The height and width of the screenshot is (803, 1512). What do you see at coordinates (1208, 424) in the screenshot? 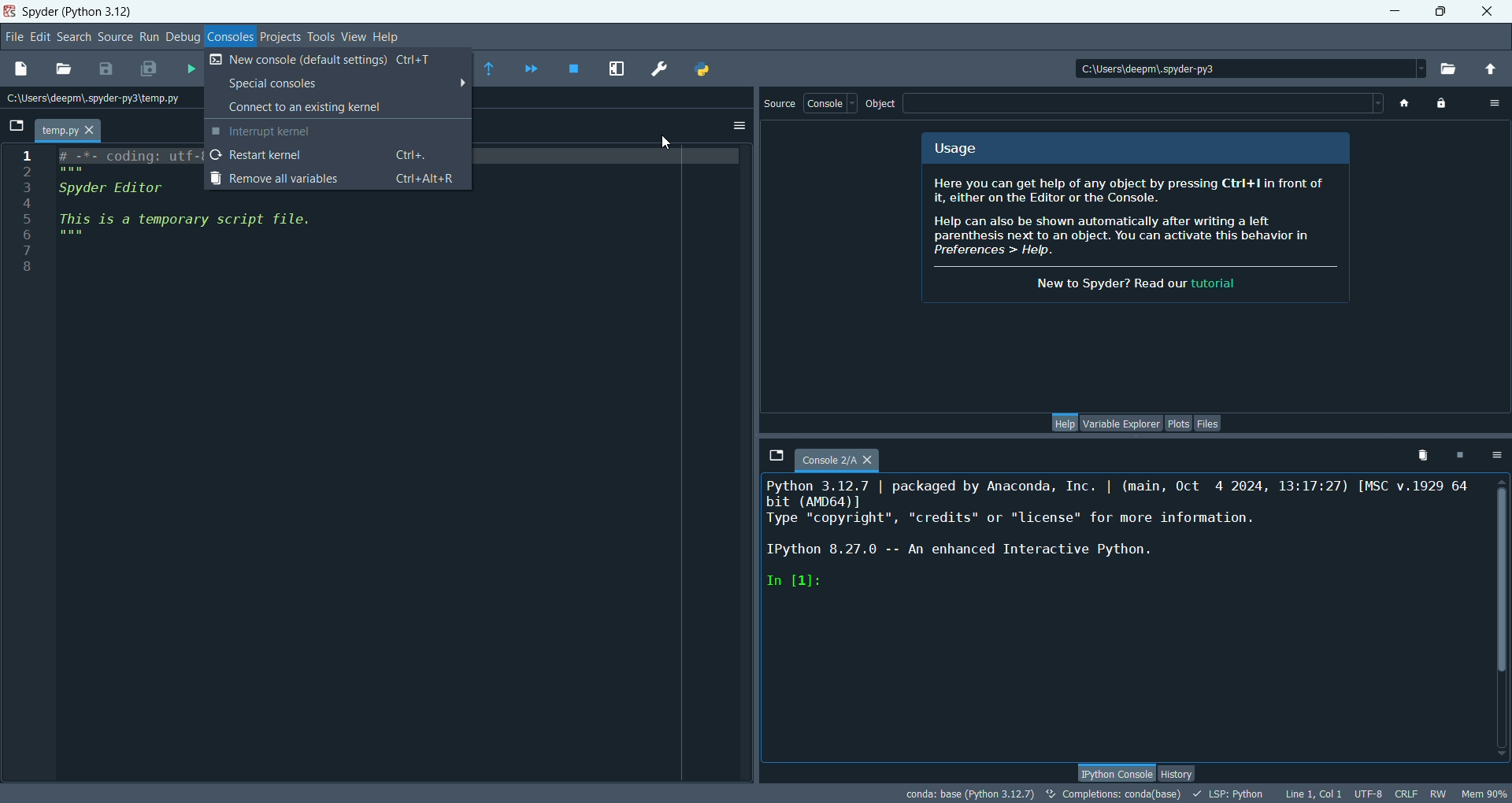
I see `files` at bounding box center [1208, 424].